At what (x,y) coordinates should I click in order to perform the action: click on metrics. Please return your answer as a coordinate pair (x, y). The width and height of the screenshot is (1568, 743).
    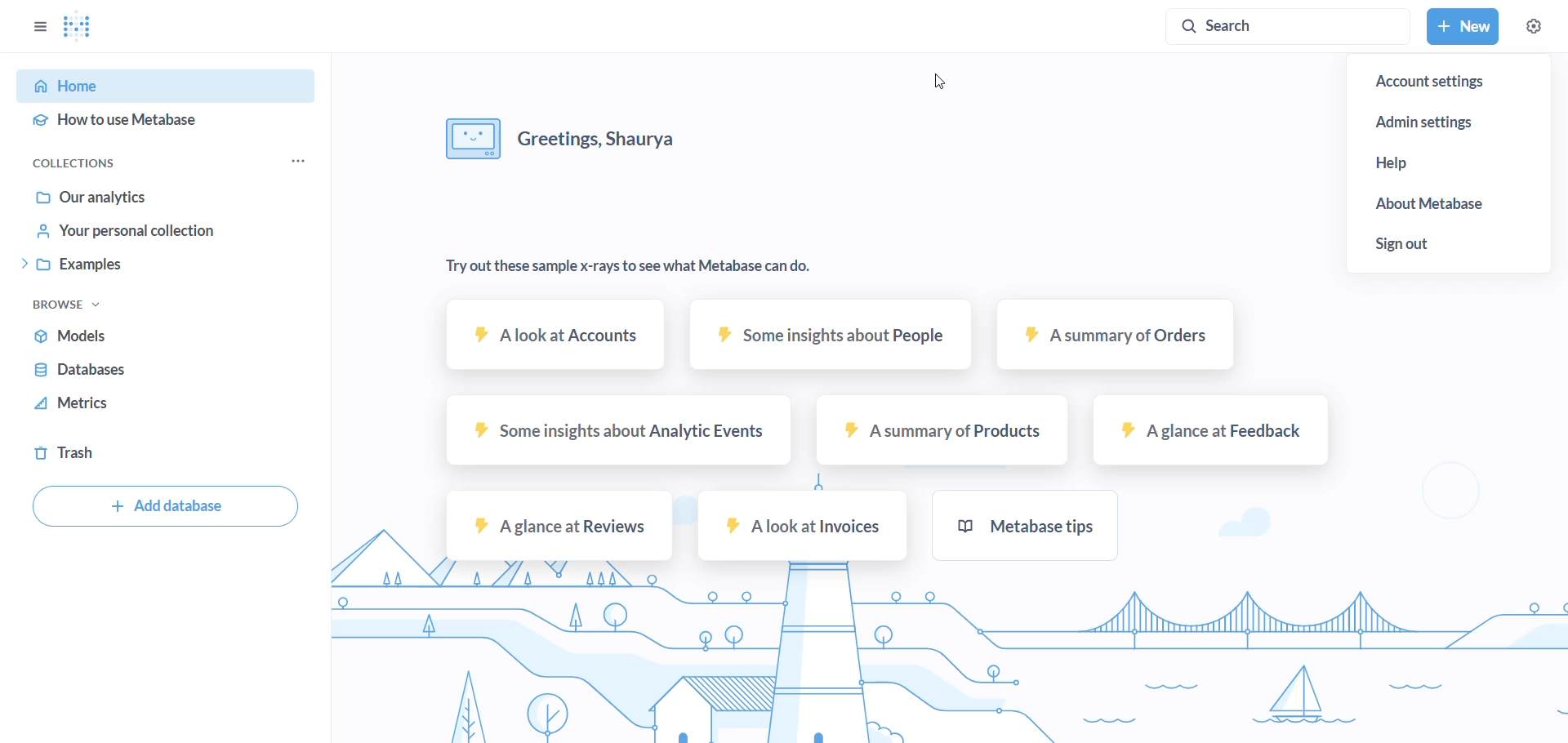
    Looking at the image, I should click on (85, 404).